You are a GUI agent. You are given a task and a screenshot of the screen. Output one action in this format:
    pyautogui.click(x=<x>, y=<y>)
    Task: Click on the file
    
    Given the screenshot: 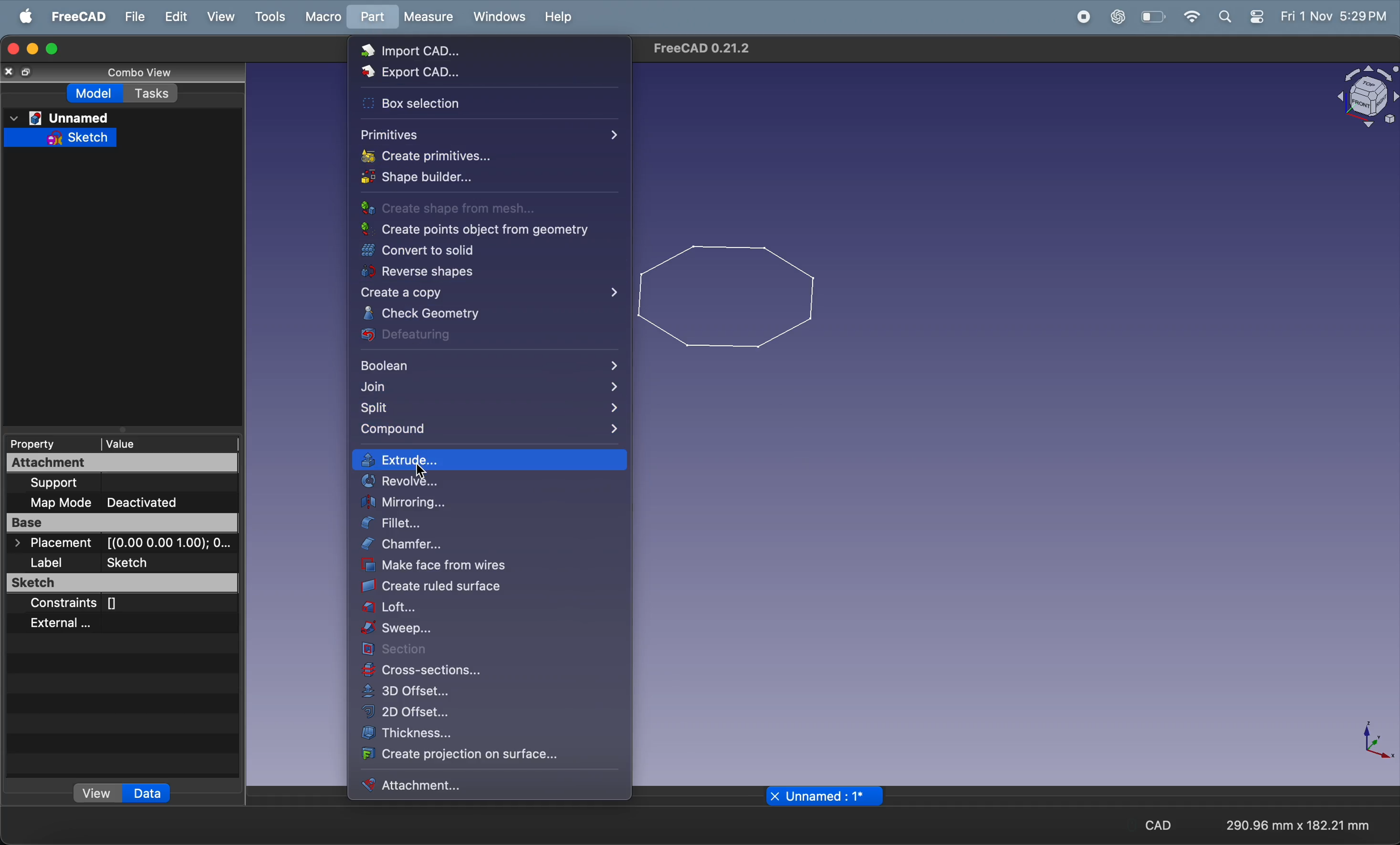 What is the action you would take?
    pyautogui.click(x=134, y=15)
    